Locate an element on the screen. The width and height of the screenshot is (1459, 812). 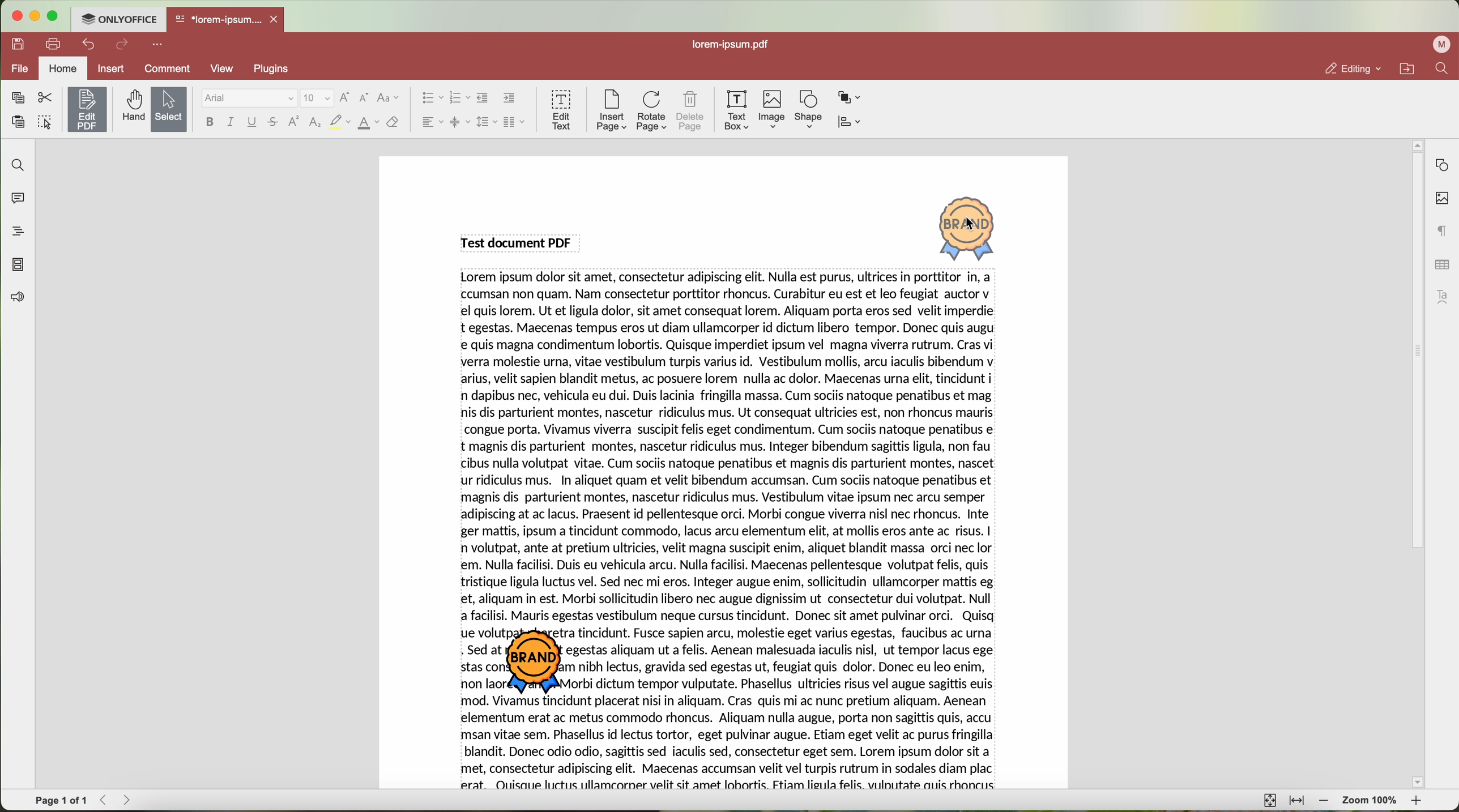
Lorem ipsum dolor sit amet, consectetur adipiscing elit. Nulla est purus, ultrices in porttitor in, a
ccumsan non quam. Nam consectetur porttitor rhoncus. Curabitur eu est et leo feugiat auctor v

el quis lorem. Ut et ligula dolor, sit amet consequat lorem. Aliquam porta eros sed velit imperdie
t egestas. Maecenas tempus eros ut diam ullamcorper id dictum libero tempor. Donec quis augu
e quis magna condimentum lobortis. Quisque imperdiet ipsum vel magna viverra rutrum. Cras vi
verra molestie urna, vitae vestibulum turpis varius id. Vestibulum mollis, arcu iaculis bibendum v
arius, velit sapien blandit metus, ac posuere lorem nulla ac dolor. Maecenas urna elit, tincidunt i
n dapibus nec, vehicula eu dui. Duis lacinia fringilla massa. Cum sociis natoque penatibus et mag
nis dis parturient montes, nascetur ridiculus mus. Ut consequat ultricies est, non rhoncus mauris
congue porta. Vivamus viverra suscipit felis eget condimentum. Cum sociis natoque penatibus e
t magnis dis parturient montes, nascetur ridiculus mus. Integer bibendum sagittis ligula, non fau
cibus nulla volutpat vitae. Cum sociis natoque penatibus et magnis dis parturient montes, nascet
ur ridiculus mus. In aliquet quam et velit bibendum accumsan. Cum sociis natoque penatibus et
magnis dis parturient montes, nascetur ridiculus mus. Vestibulum vitae ipsum nec arcu semper

adipiscing at ac lacus. Praesent id pellentesque orci. Morbi congue viverra nisl nec rhoncus. Inte

ger mattis, ipsum a tincidunt commodo, lacus arcu elementum elit, at mollis eros ante ac risus. |
n volutpat, ante at pretium ultricies, velit magna suscipit enim, aliquet blandit massa orci nec lor
em. Nulla facilisi. Duis eu vehicula arcu. Nulla facilisi. Maecenas pellentesque volutpat felis, quis

tristique ligula luctus vel. Sed nec mi eros. Integer augue enim, sollicitudin ullamcorper mattis eg
et, aliquam ir est. Morbi sollicitudin libero nec augue dignissim ut consectetur dui volutpat. Null
a facilisi. Mais egestas vestibulum neque cursus tincidunt. Donec sit amet pulvinar orci. Quisq is located at coordinates (731, 448).